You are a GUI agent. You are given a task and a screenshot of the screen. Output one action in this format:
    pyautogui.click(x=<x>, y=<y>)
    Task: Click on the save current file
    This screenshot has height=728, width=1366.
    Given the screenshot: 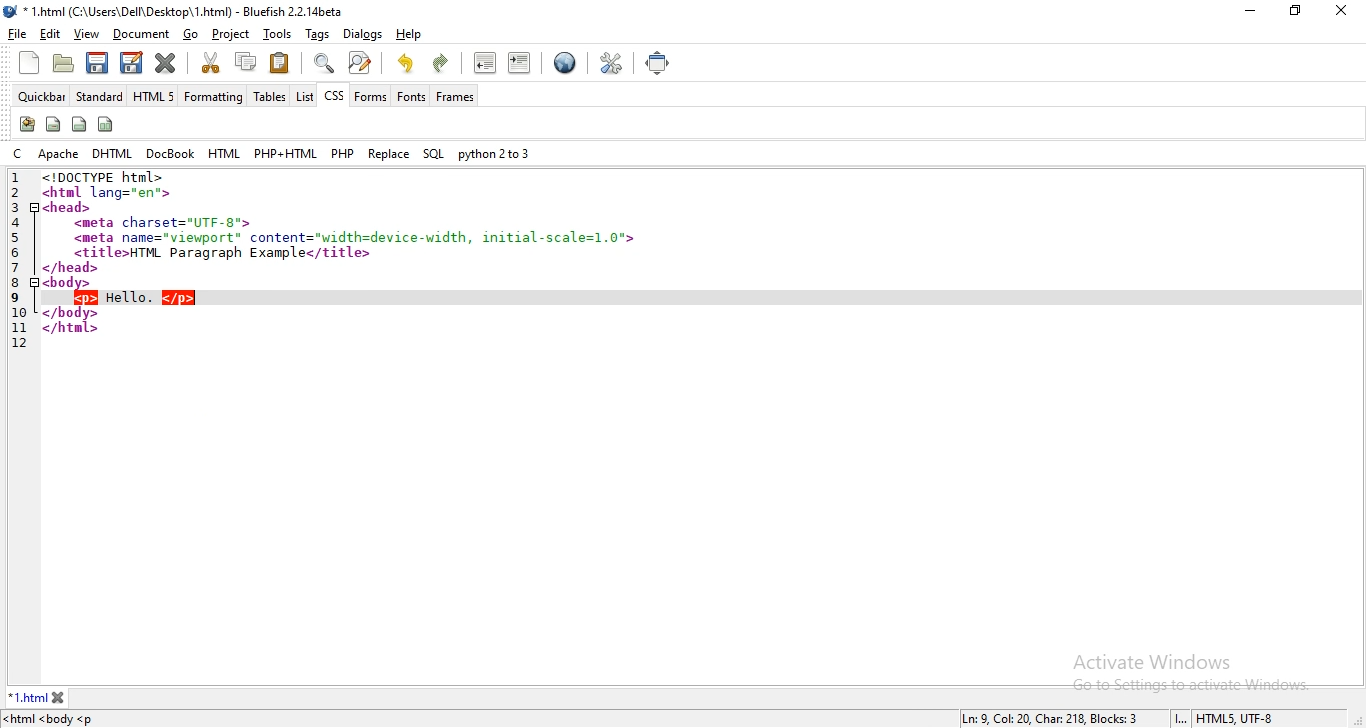 What is the action you would take?
    pyautogui.click(x=97, y=61)
    